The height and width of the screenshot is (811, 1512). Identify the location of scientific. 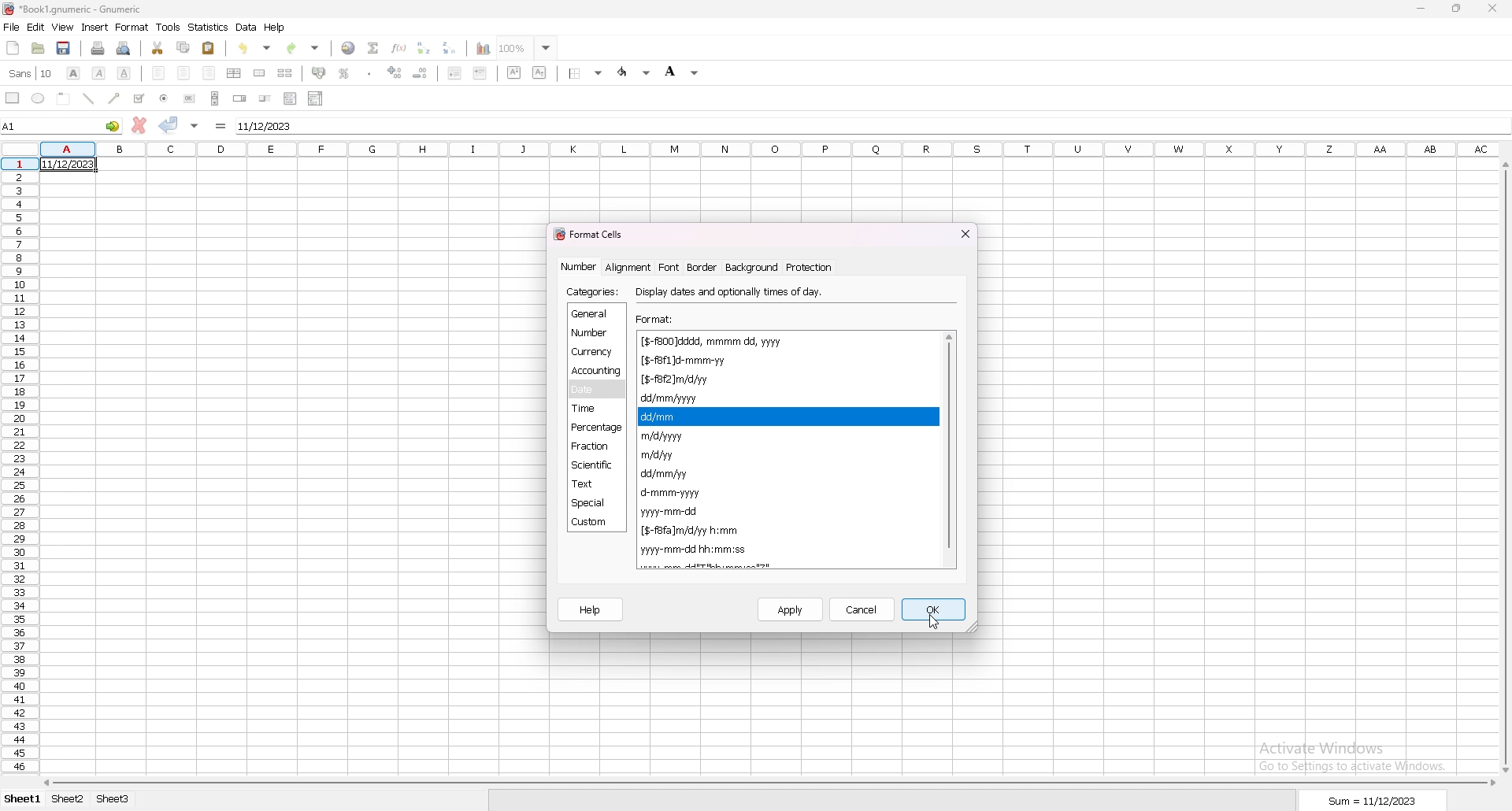
(595, 465).